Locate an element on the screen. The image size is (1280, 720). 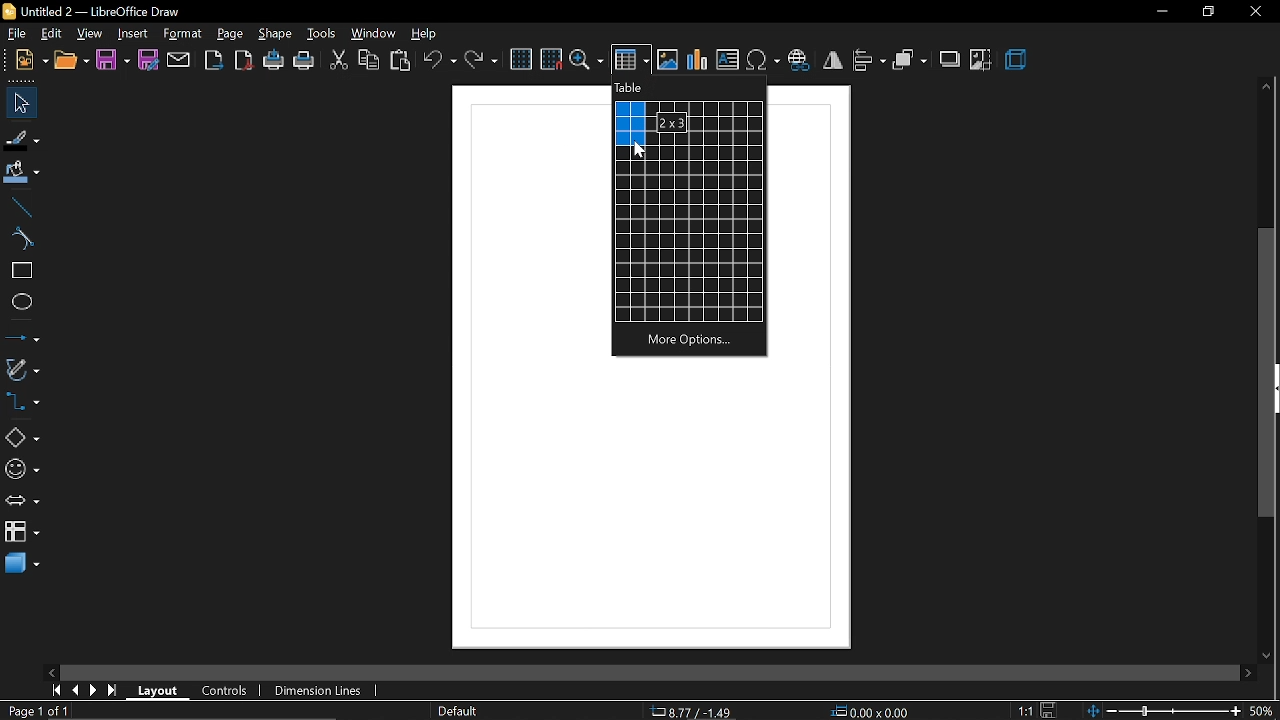
snap to grid is located at coordinates (552, 59).